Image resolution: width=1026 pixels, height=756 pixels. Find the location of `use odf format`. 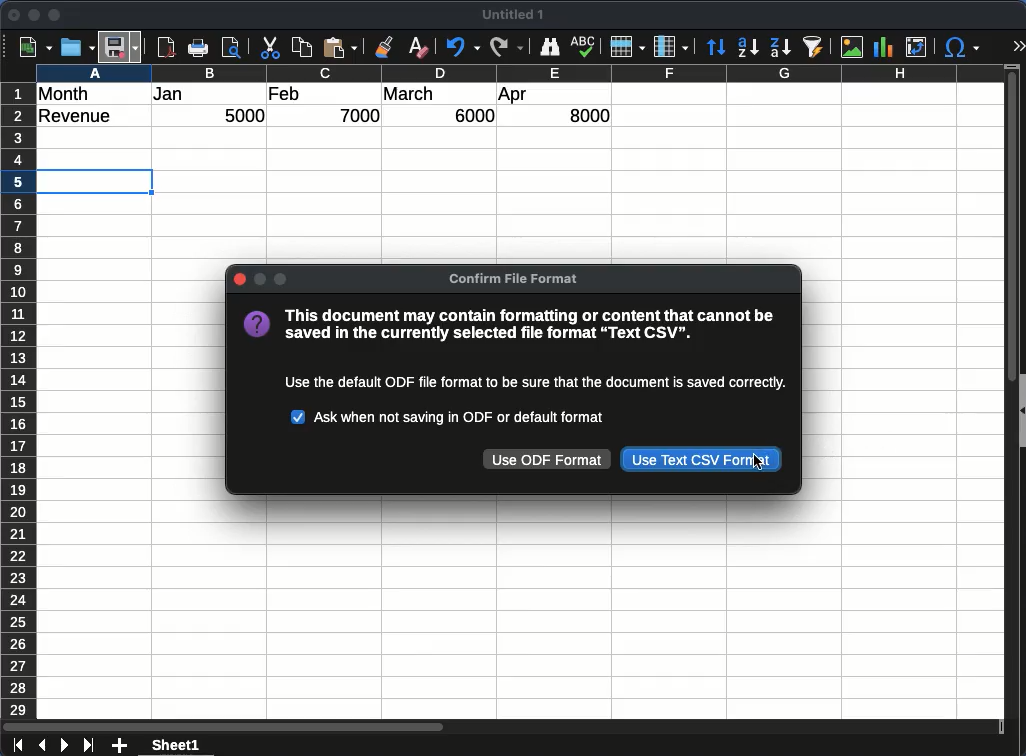

use odf format is located at coordinates (548, 459).